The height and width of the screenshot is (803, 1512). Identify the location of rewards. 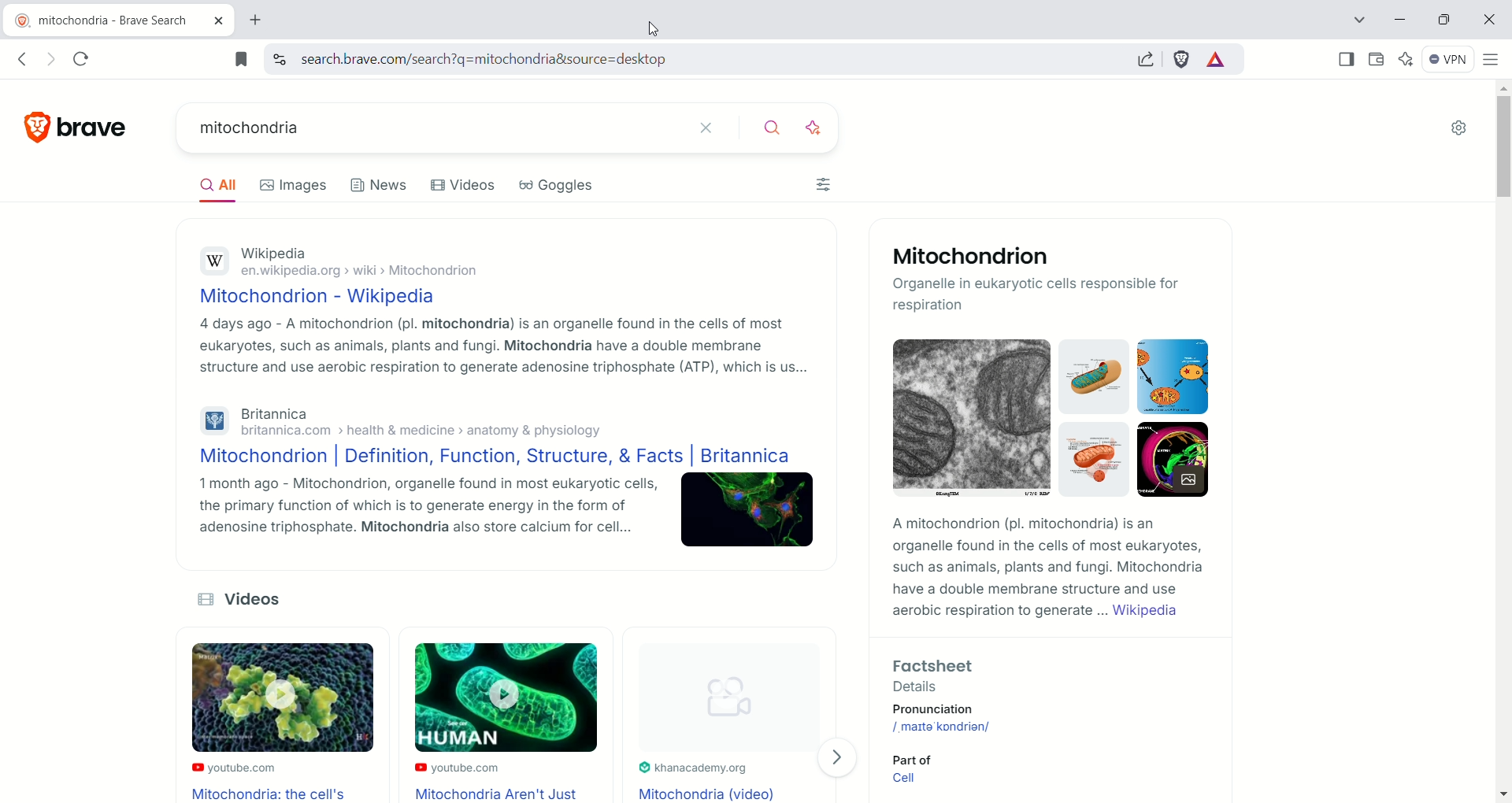
(1215, 61).